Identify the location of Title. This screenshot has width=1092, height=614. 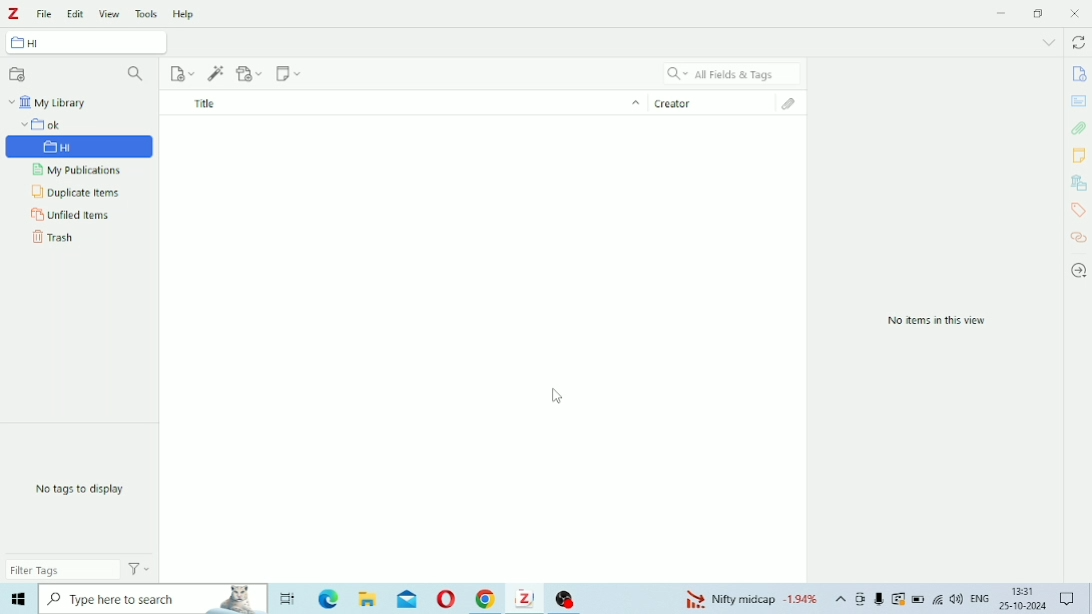
(403, 102).